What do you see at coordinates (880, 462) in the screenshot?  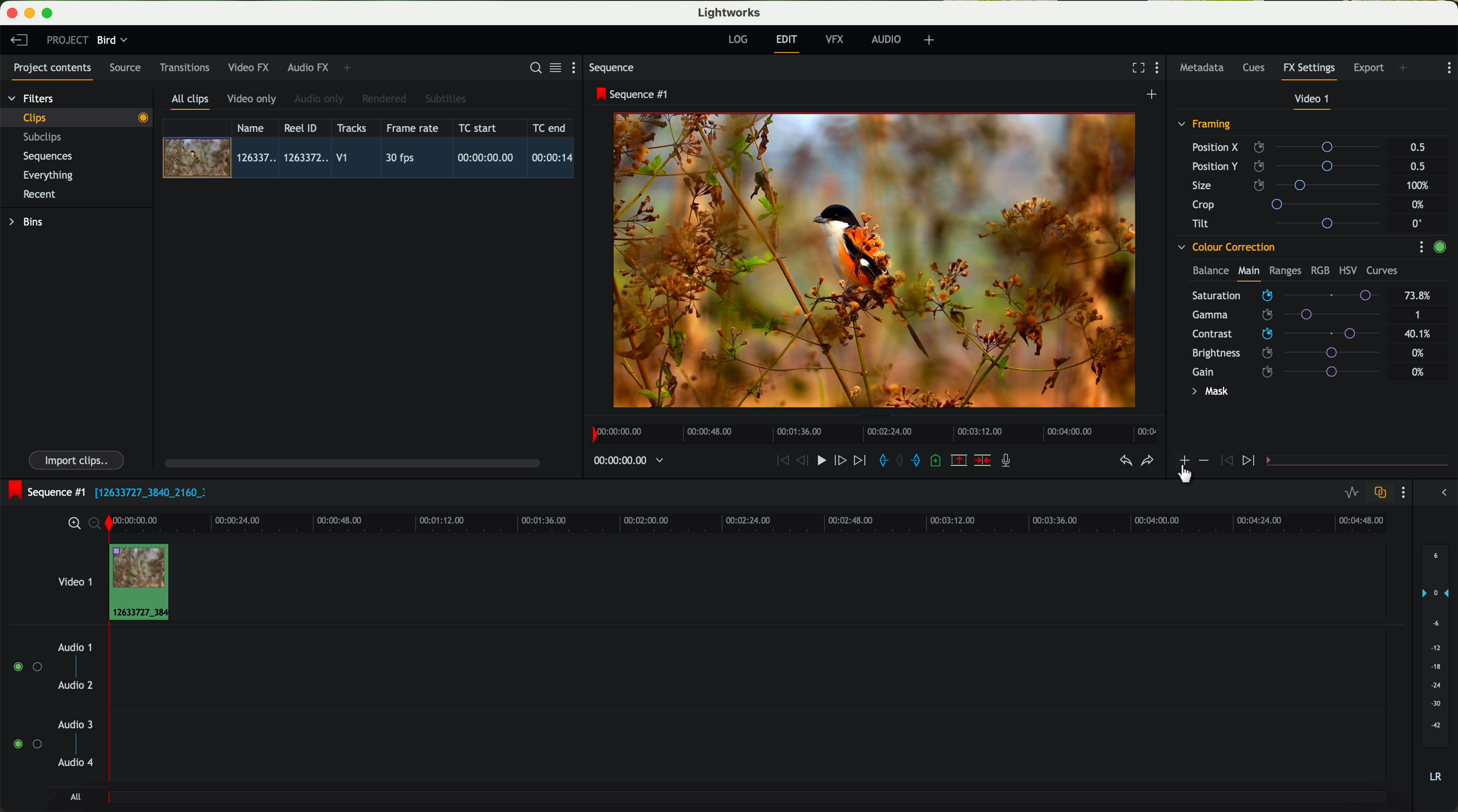 I see `add 'in' mark` at bounding box center [880, 462].